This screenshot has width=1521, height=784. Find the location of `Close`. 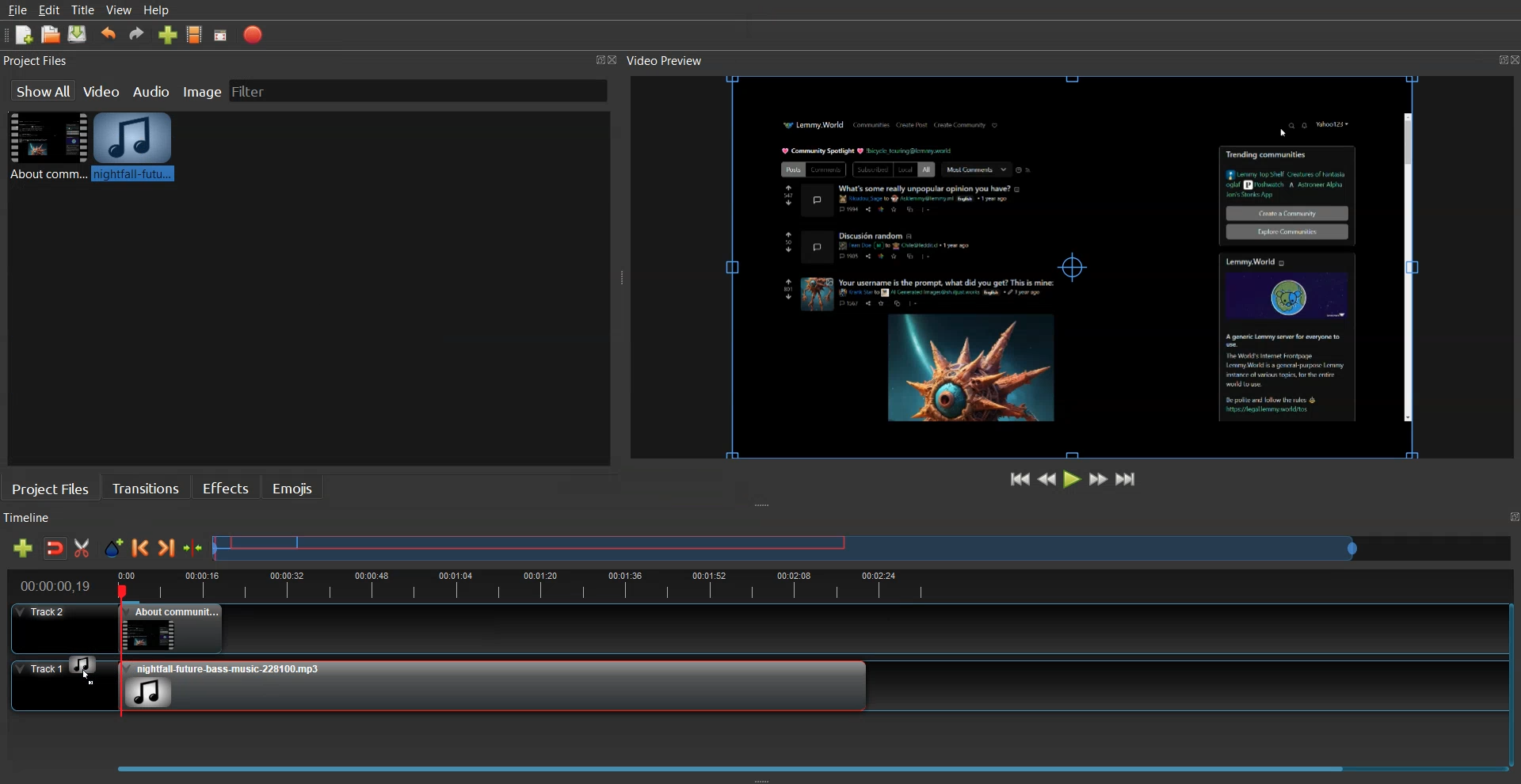

Close is located at coordinates (617, 61).